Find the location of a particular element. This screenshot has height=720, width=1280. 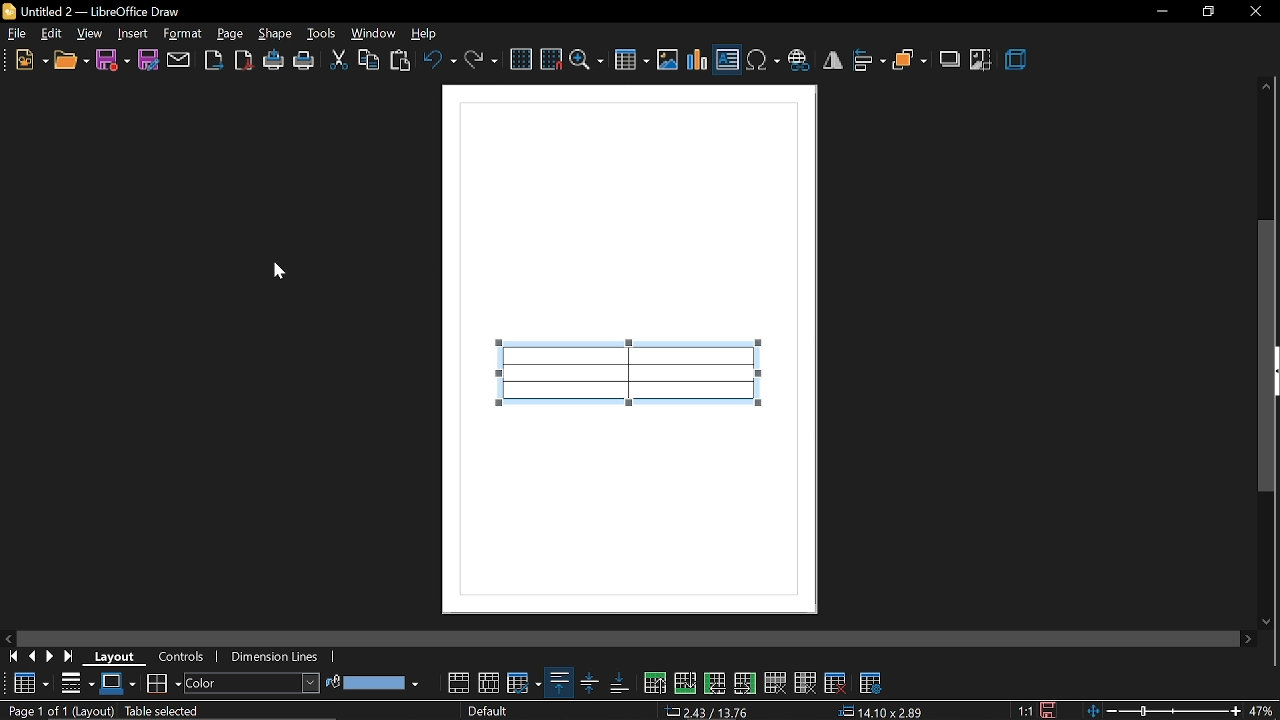

edit is located at coordinates (52, 35).